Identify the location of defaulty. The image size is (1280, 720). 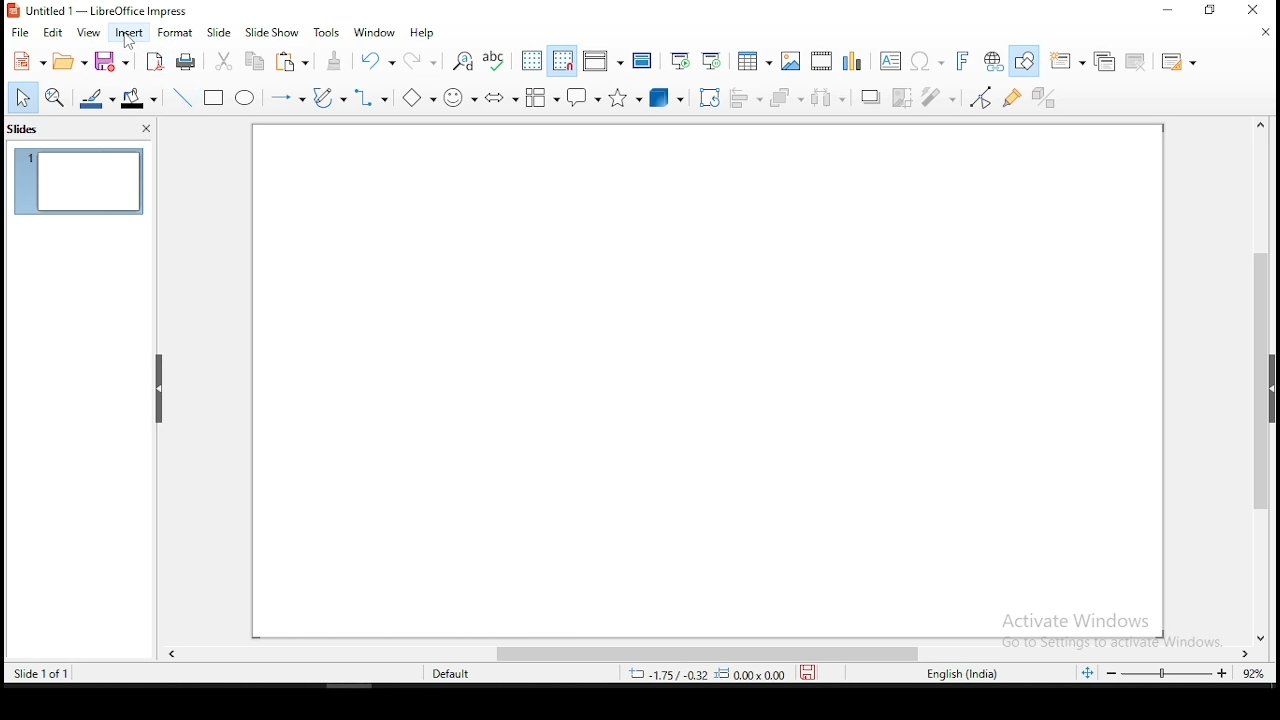
(437, 672).